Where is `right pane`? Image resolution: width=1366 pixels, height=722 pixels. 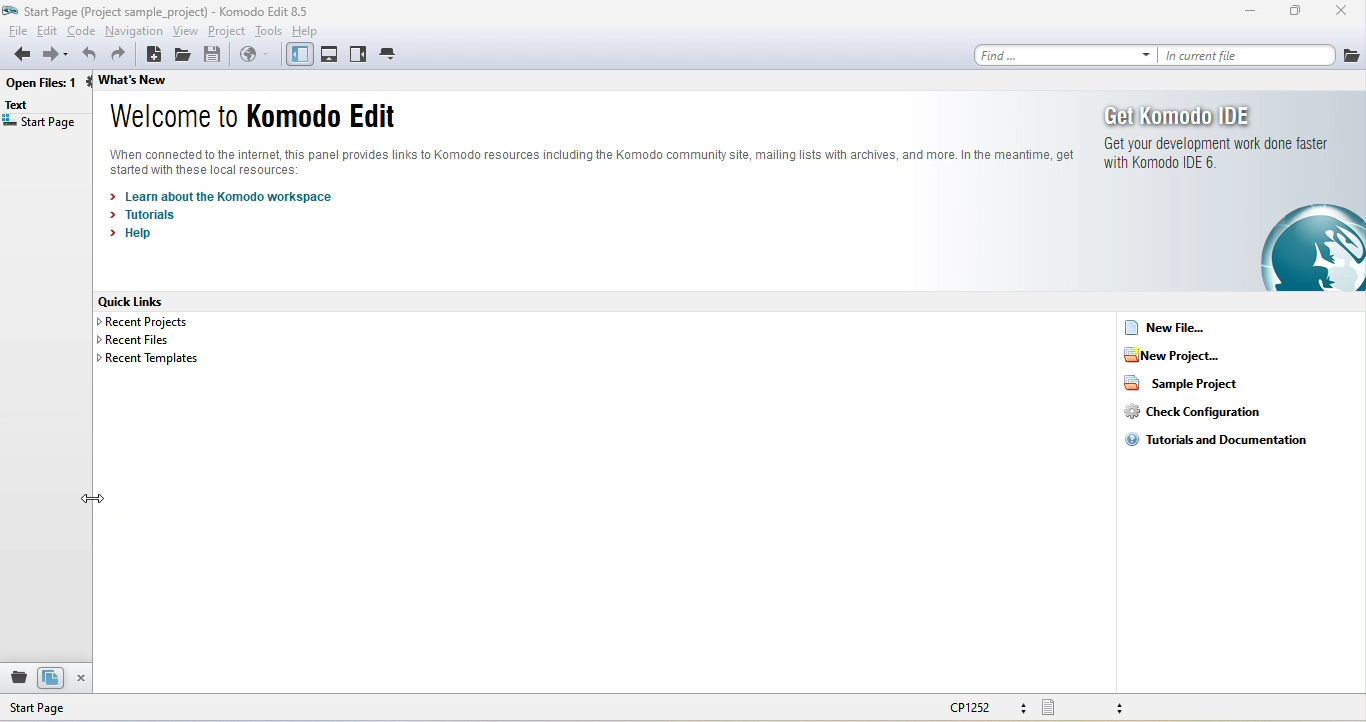
right pane is located at coordinates (359, 57).